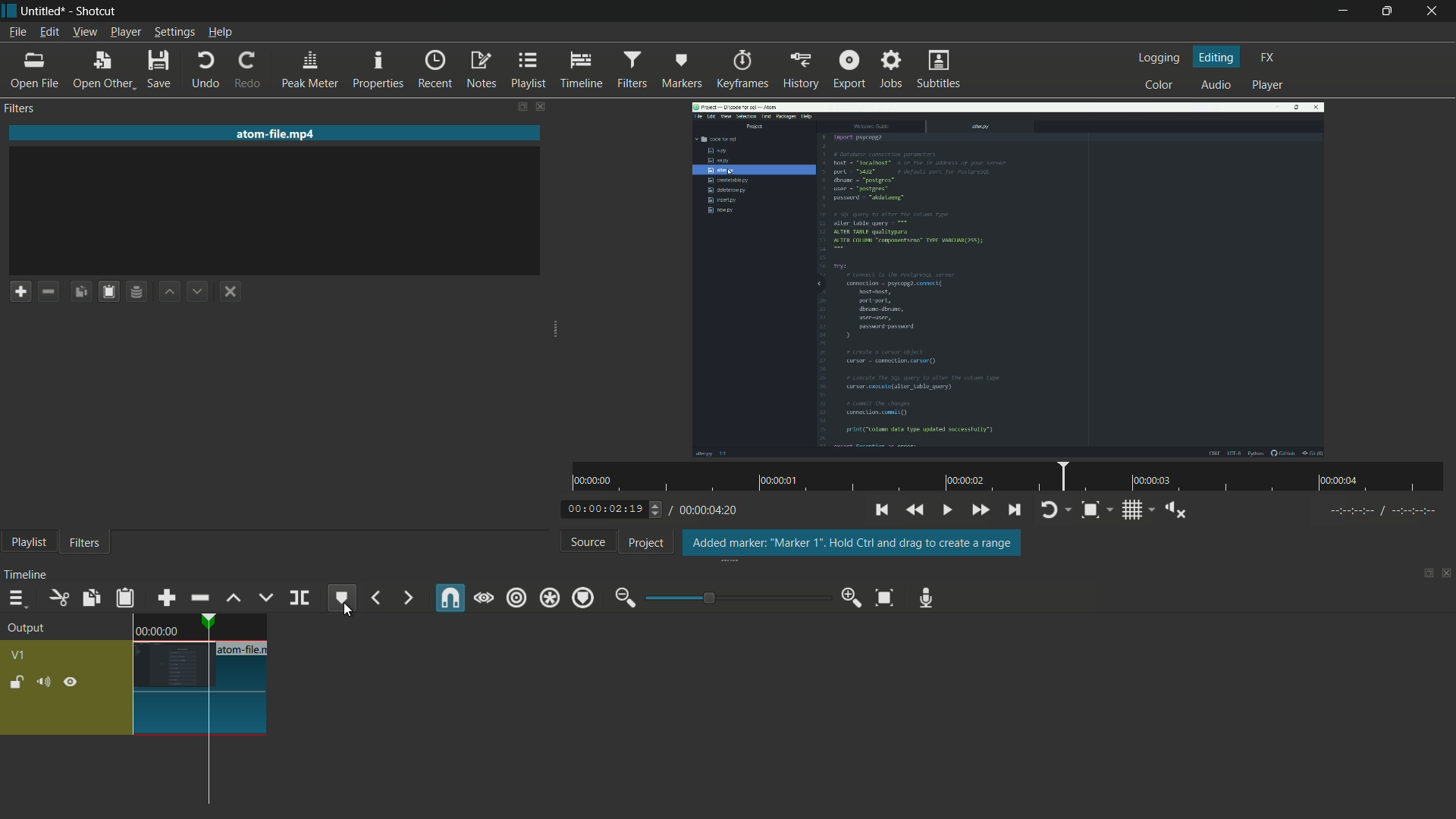 This screenshot has width=1456, height=819. Describe the element at coordinates (246, 71) in the screenshot. I see `redo` at that location.